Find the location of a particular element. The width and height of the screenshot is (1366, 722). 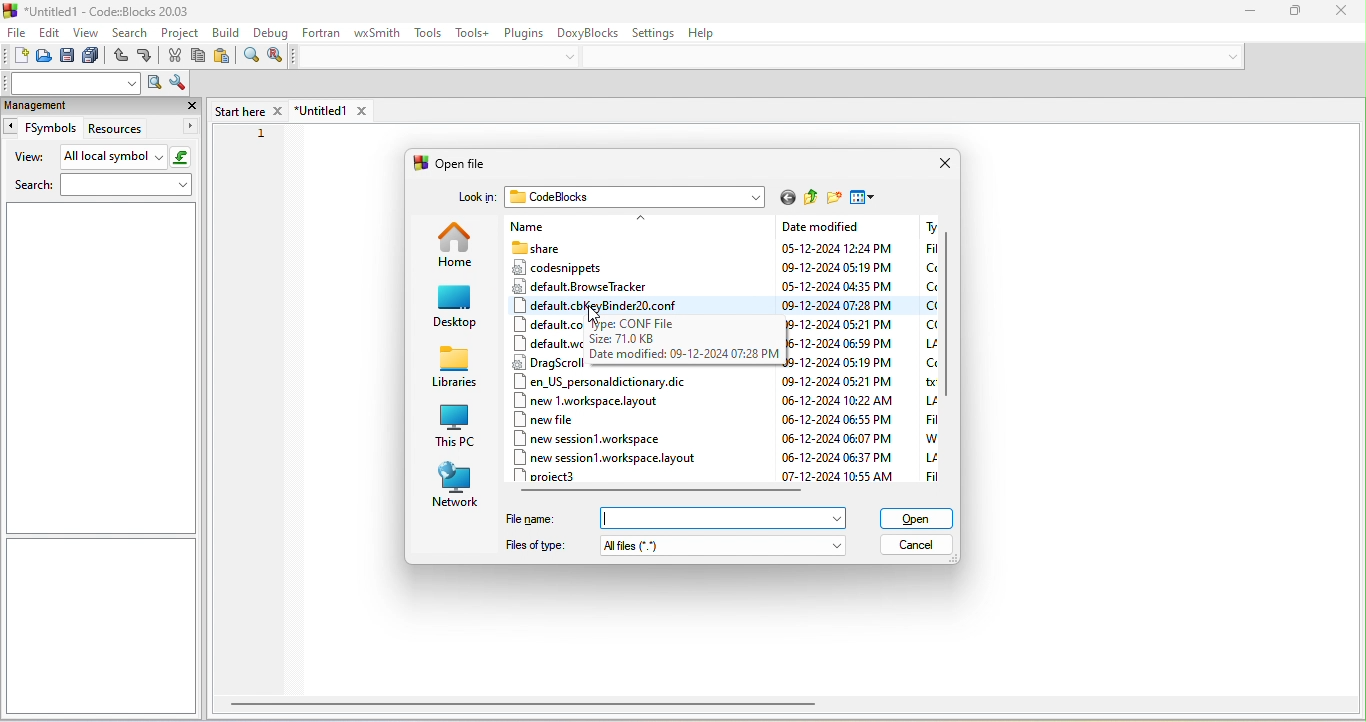

minimize is located at coordinates (1243, 13).